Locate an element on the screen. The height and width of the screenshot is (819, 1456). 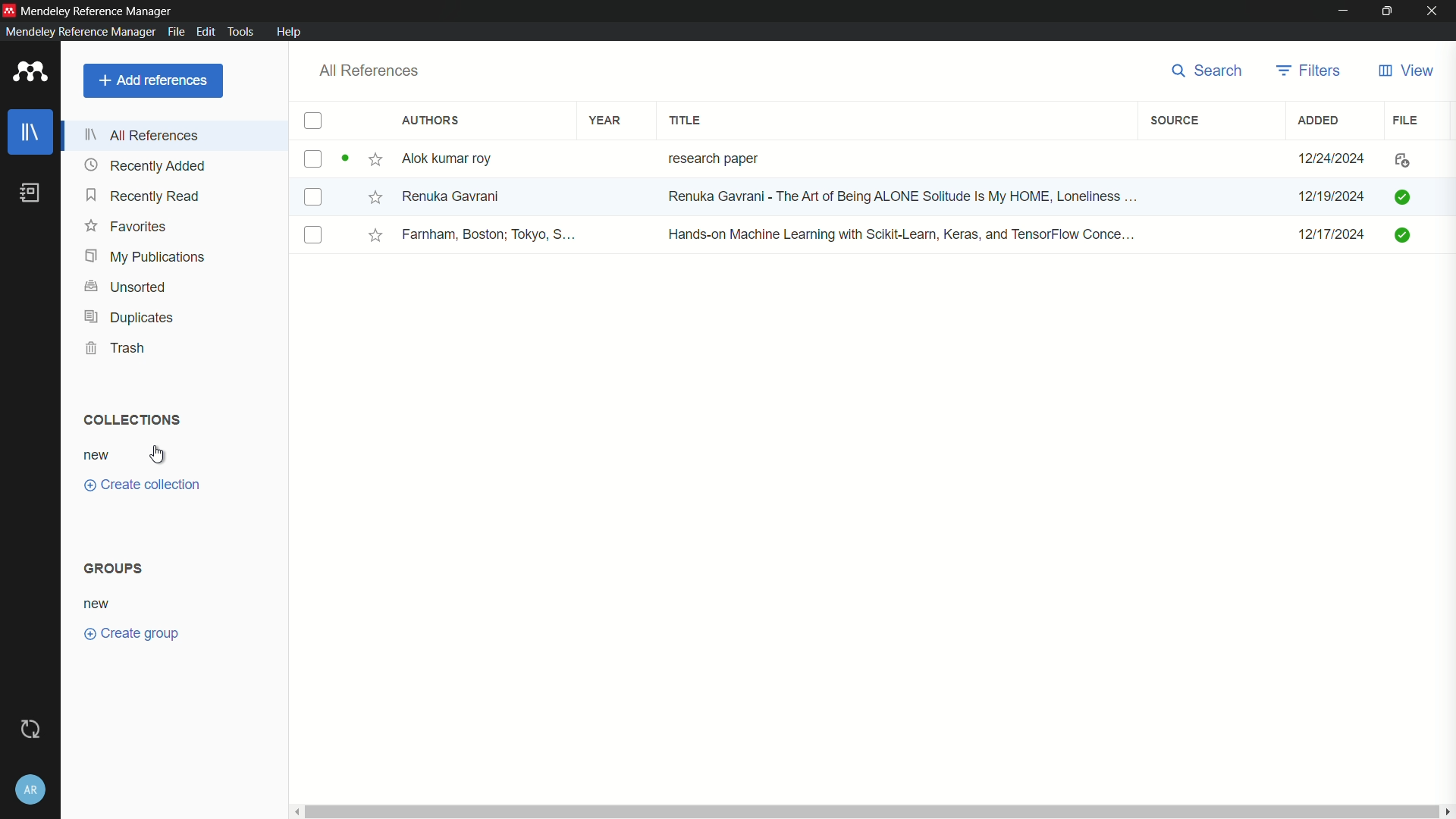
account and help is located at coordinates (30, 787).